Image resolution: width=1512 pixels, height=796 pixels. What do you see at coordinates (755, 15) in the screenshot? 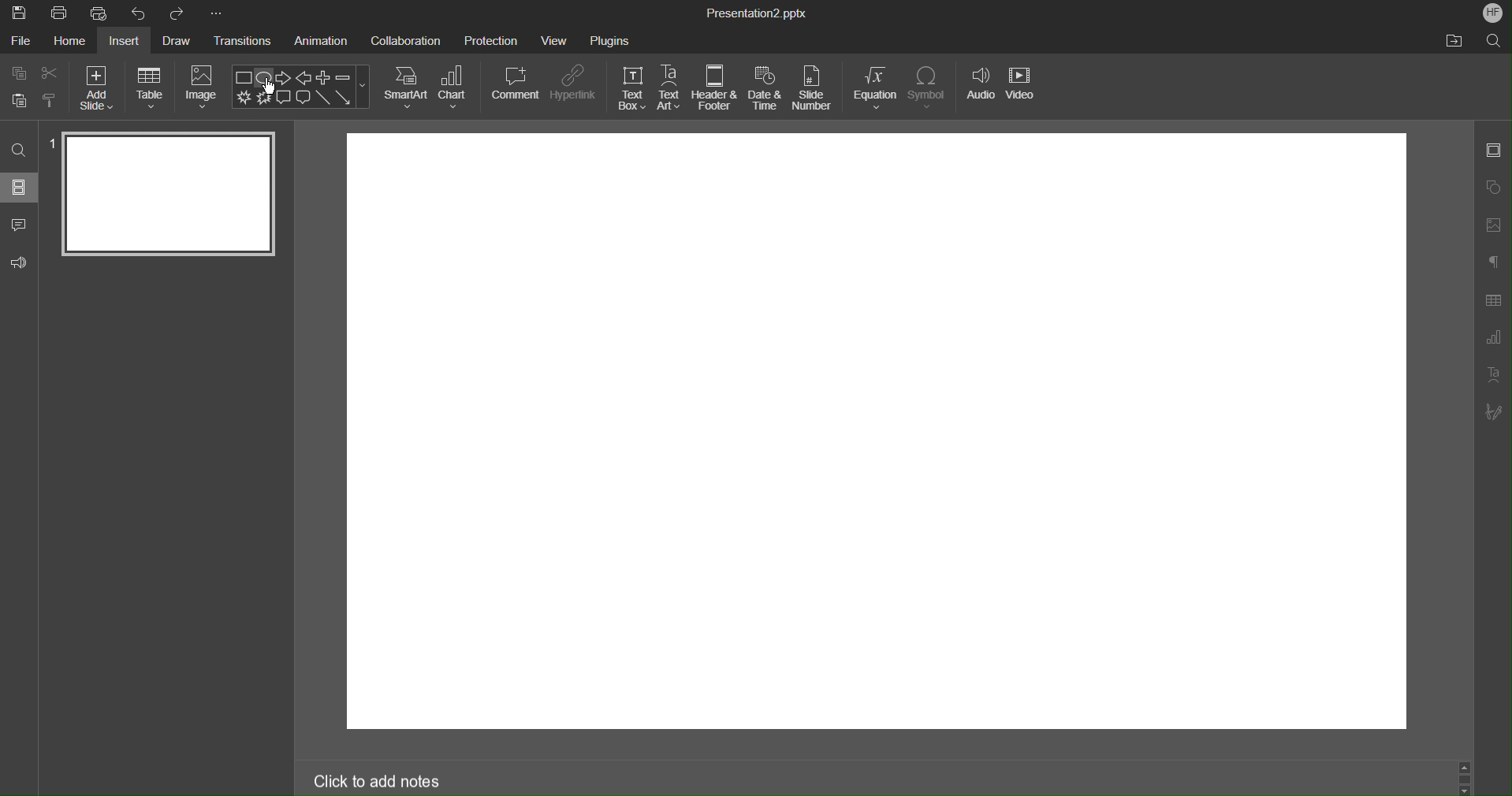
I see `Presentation2` at bounding box center [755, 15].